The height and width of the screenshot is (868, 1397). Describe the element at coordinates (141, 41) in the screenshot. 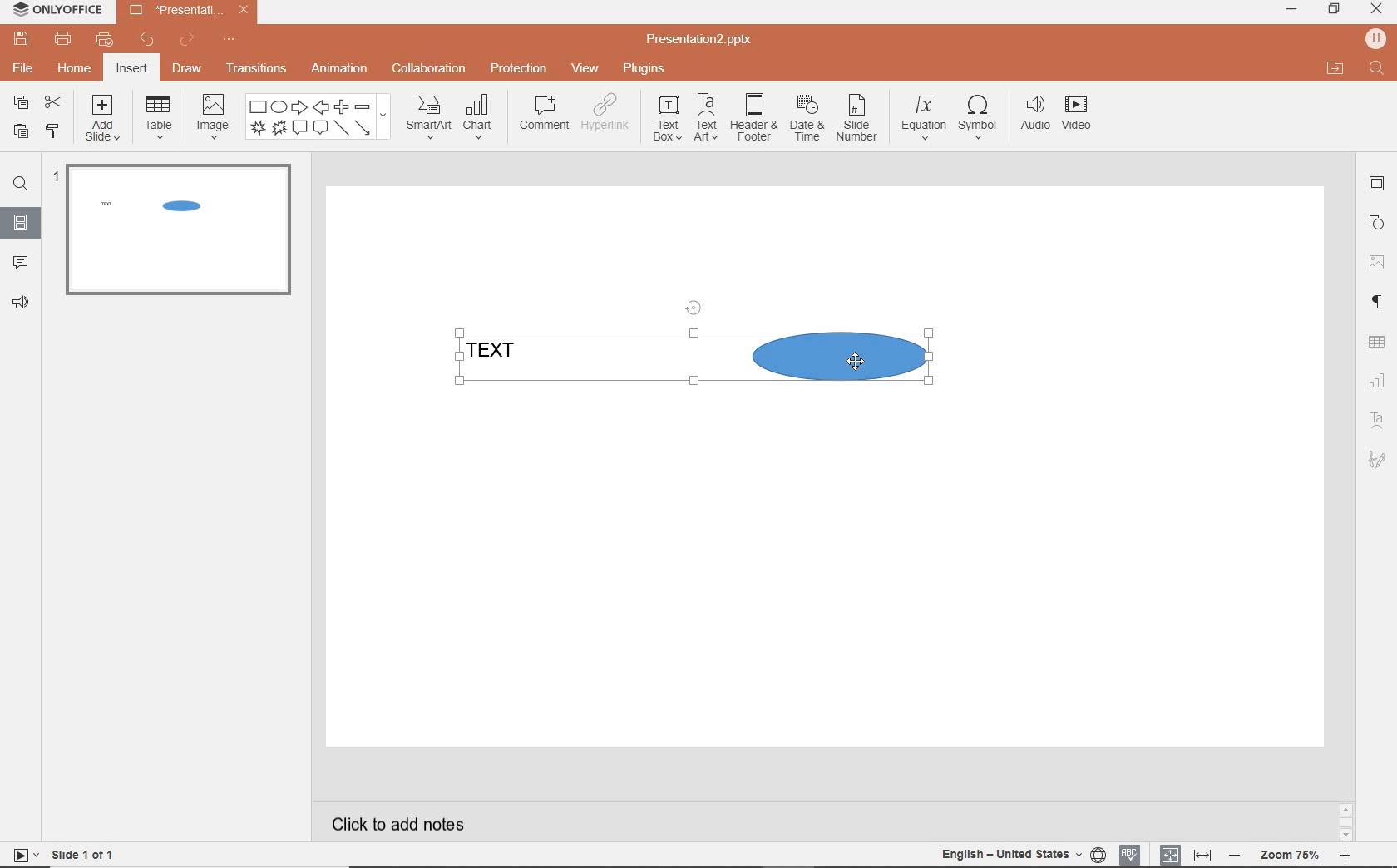

I see `undo` at that location.